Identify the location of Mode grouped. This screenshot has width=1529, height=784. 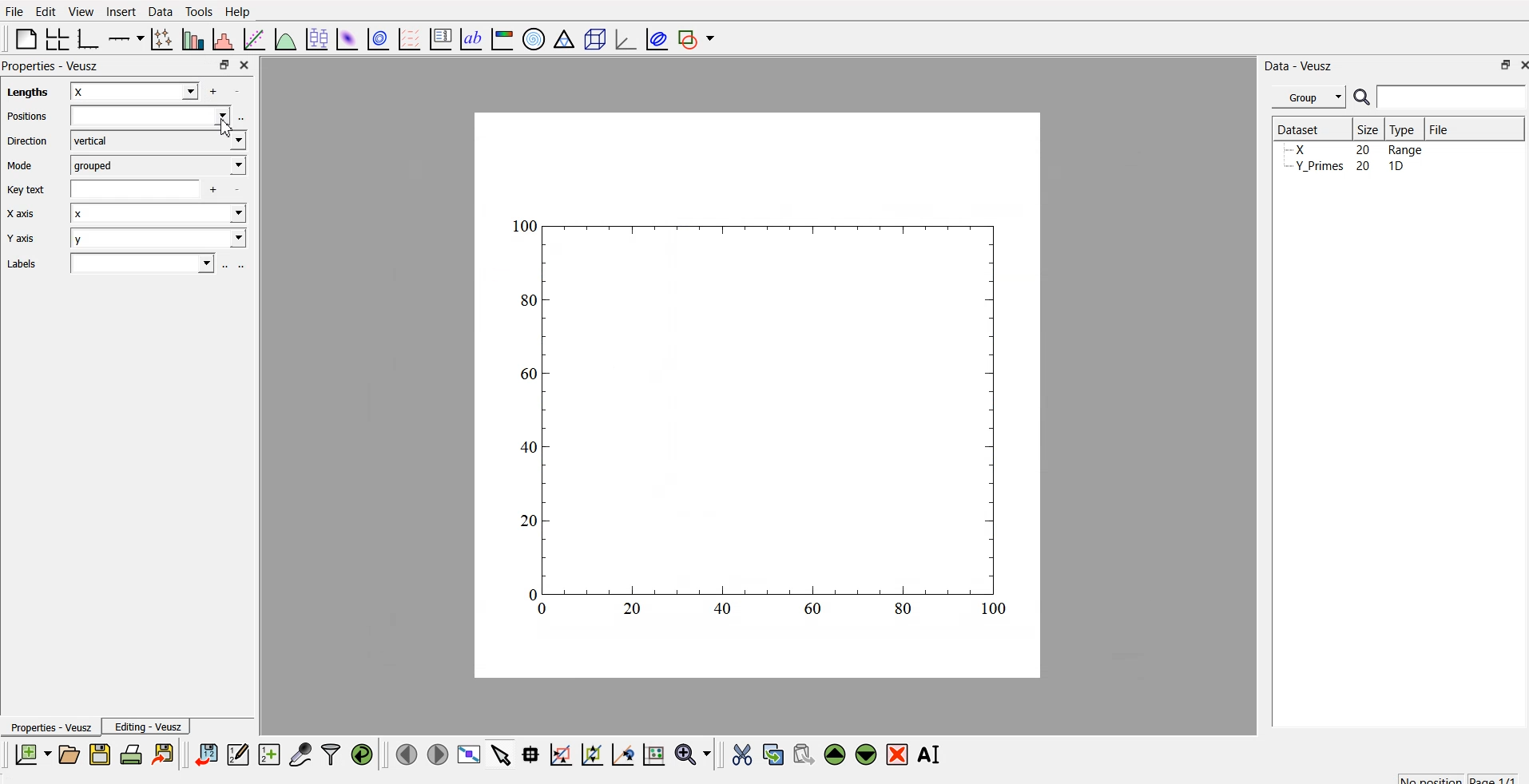
(126, 164).